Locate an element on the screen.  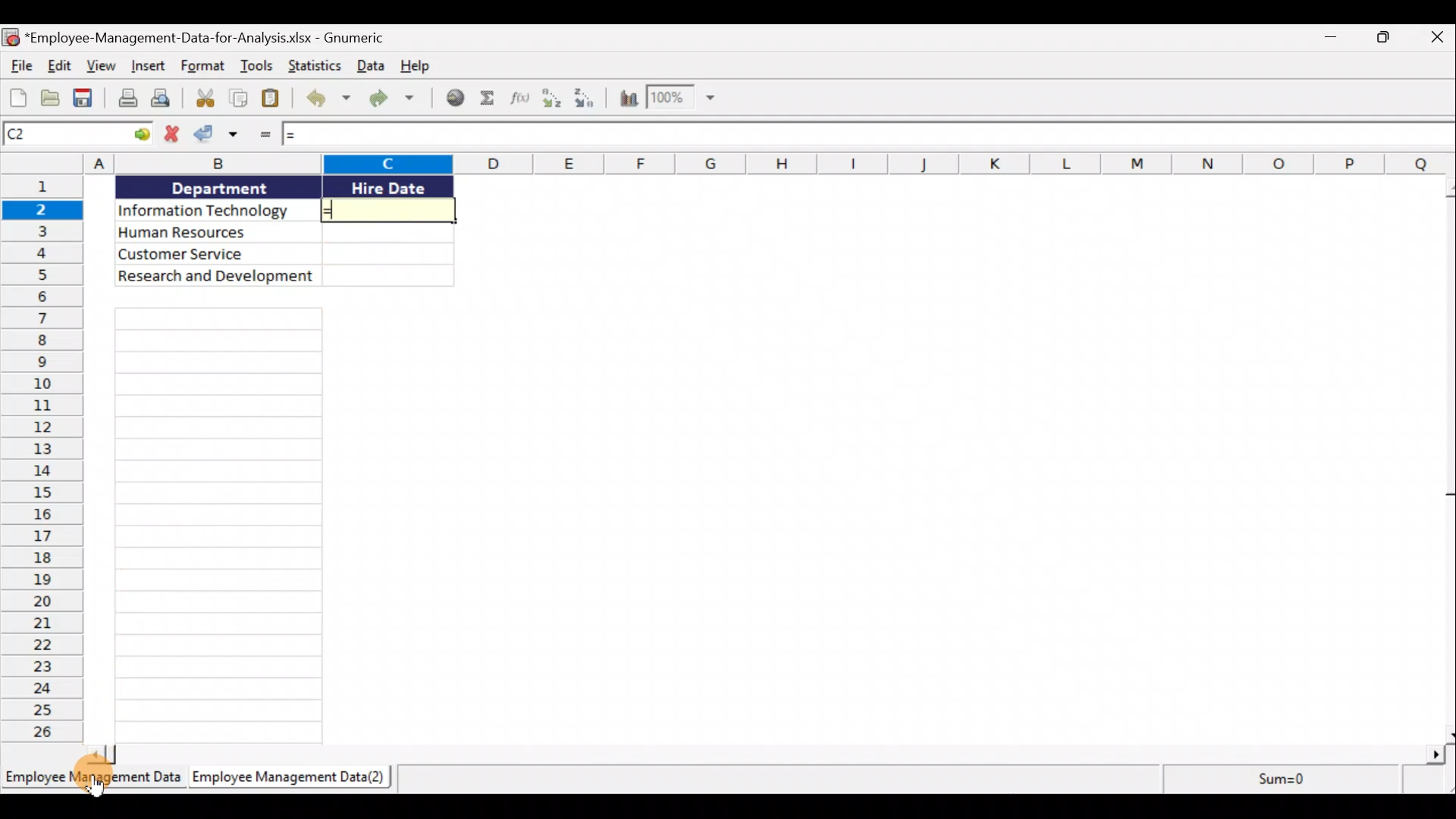
Edit a function in the current cell is located at coordinates (525, 99).